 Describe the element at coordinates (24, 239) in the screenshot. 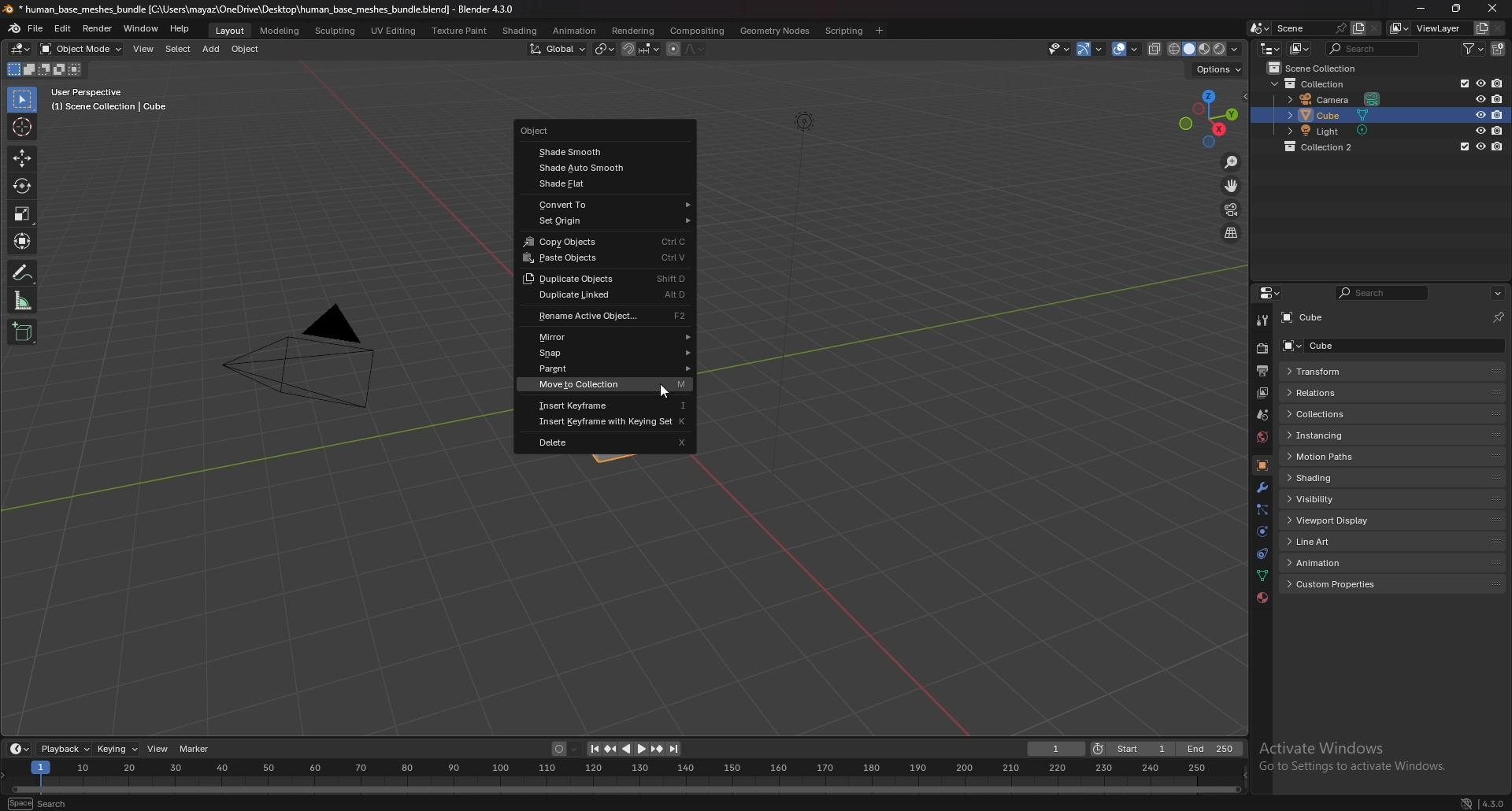

I see `transform` at that location.